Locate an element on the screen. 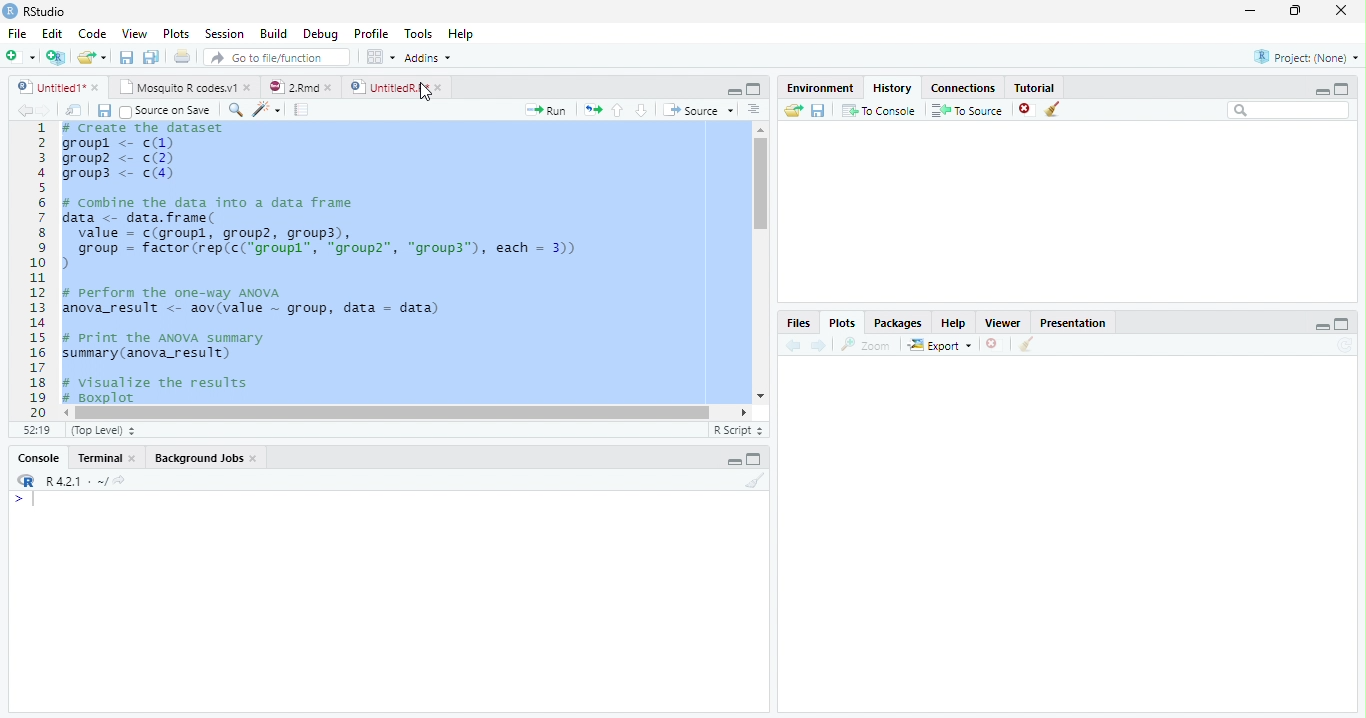  Search is located at coordinates (1289, 111).